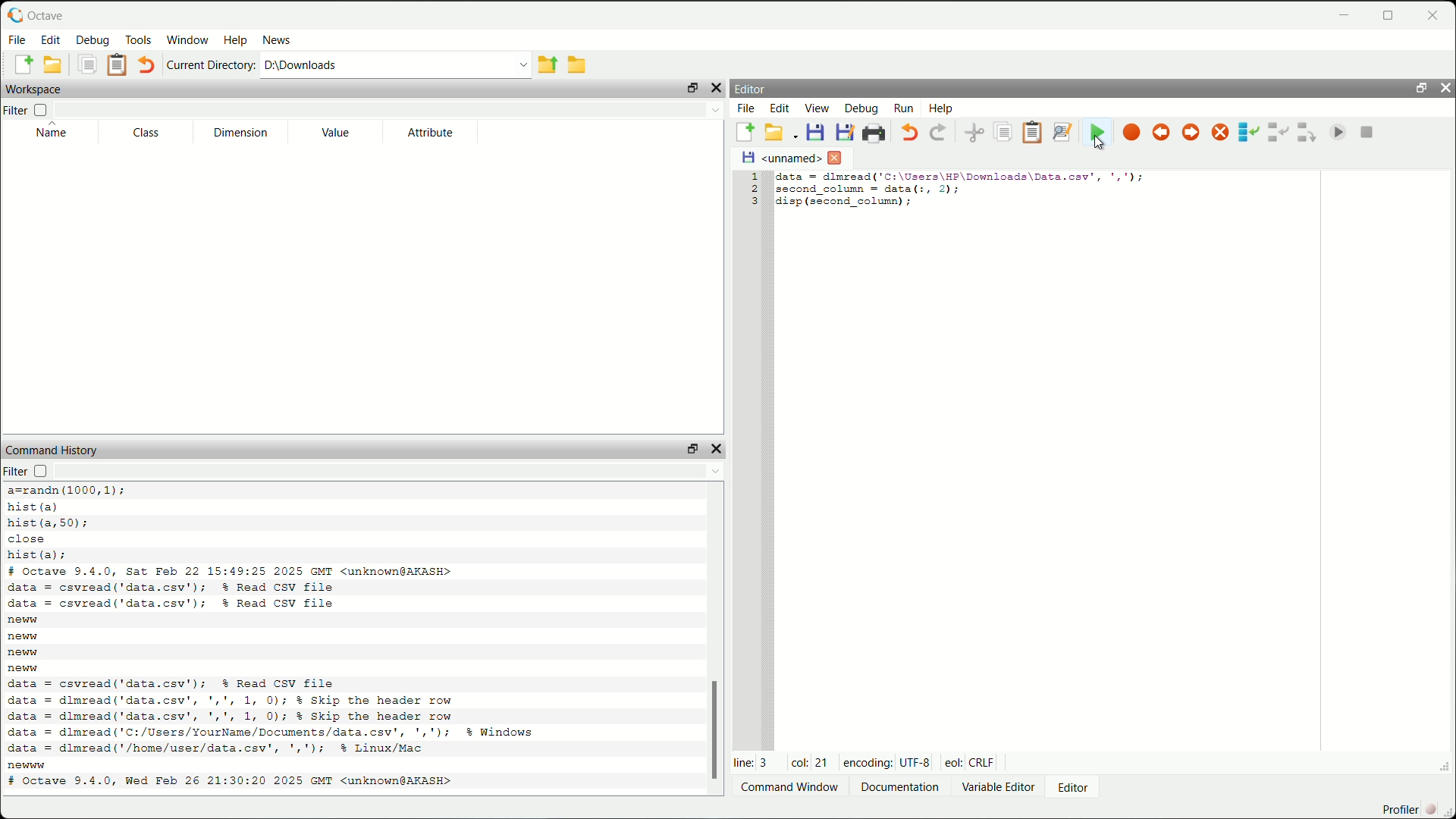 This screenshot has height=819, width=1456. Describe the element at coordinates (1414, 808) in the screenshot. I see `profiler` at that location.